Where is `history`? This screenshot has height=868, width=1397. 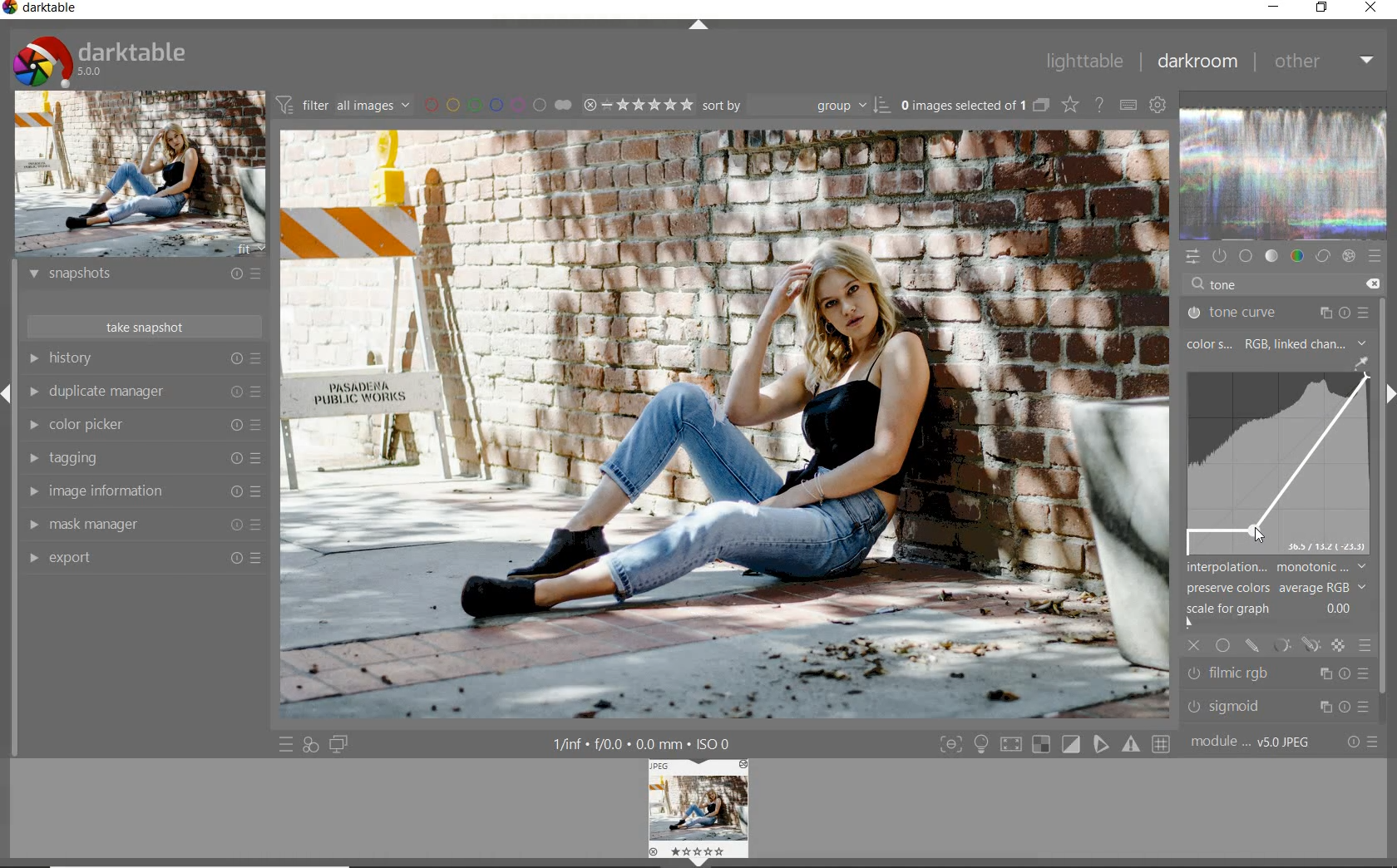
history is located at coordinates (144, 361).